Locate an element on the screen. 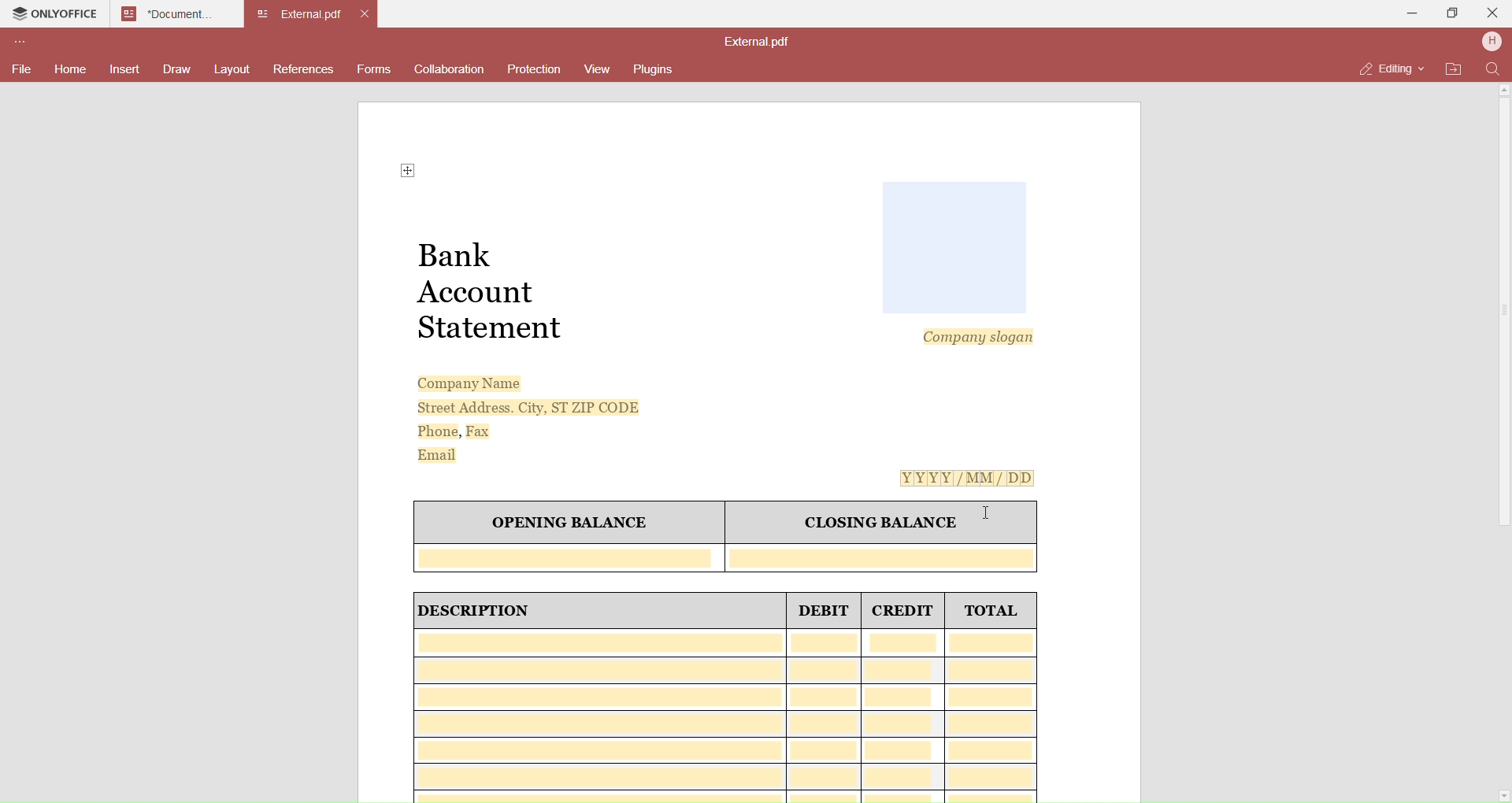 Image resolution: width=1512 pixels, height=803 pixels. Plugins is located at coordinates (657, 68).